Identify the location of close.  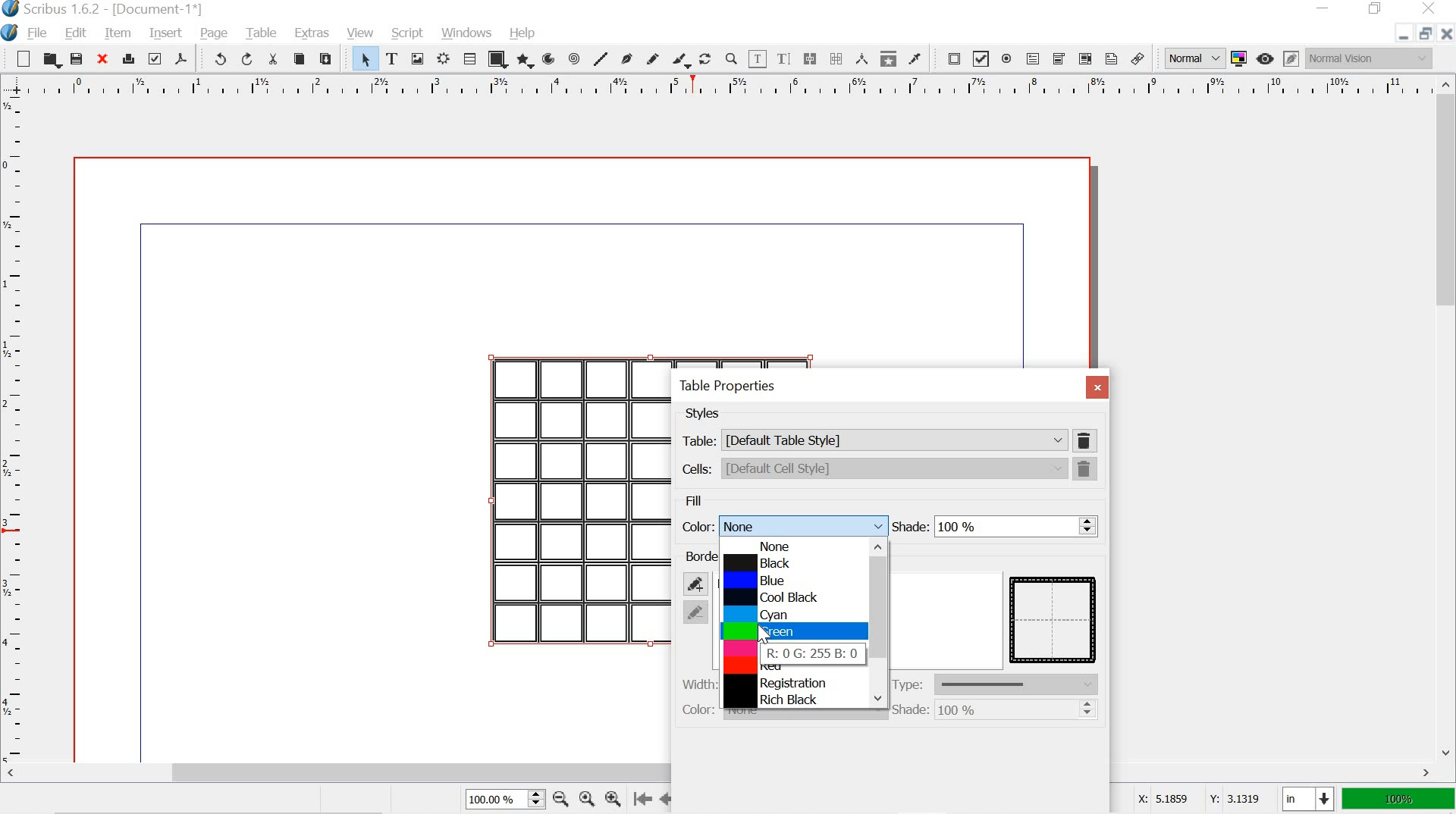
(1446, 33).